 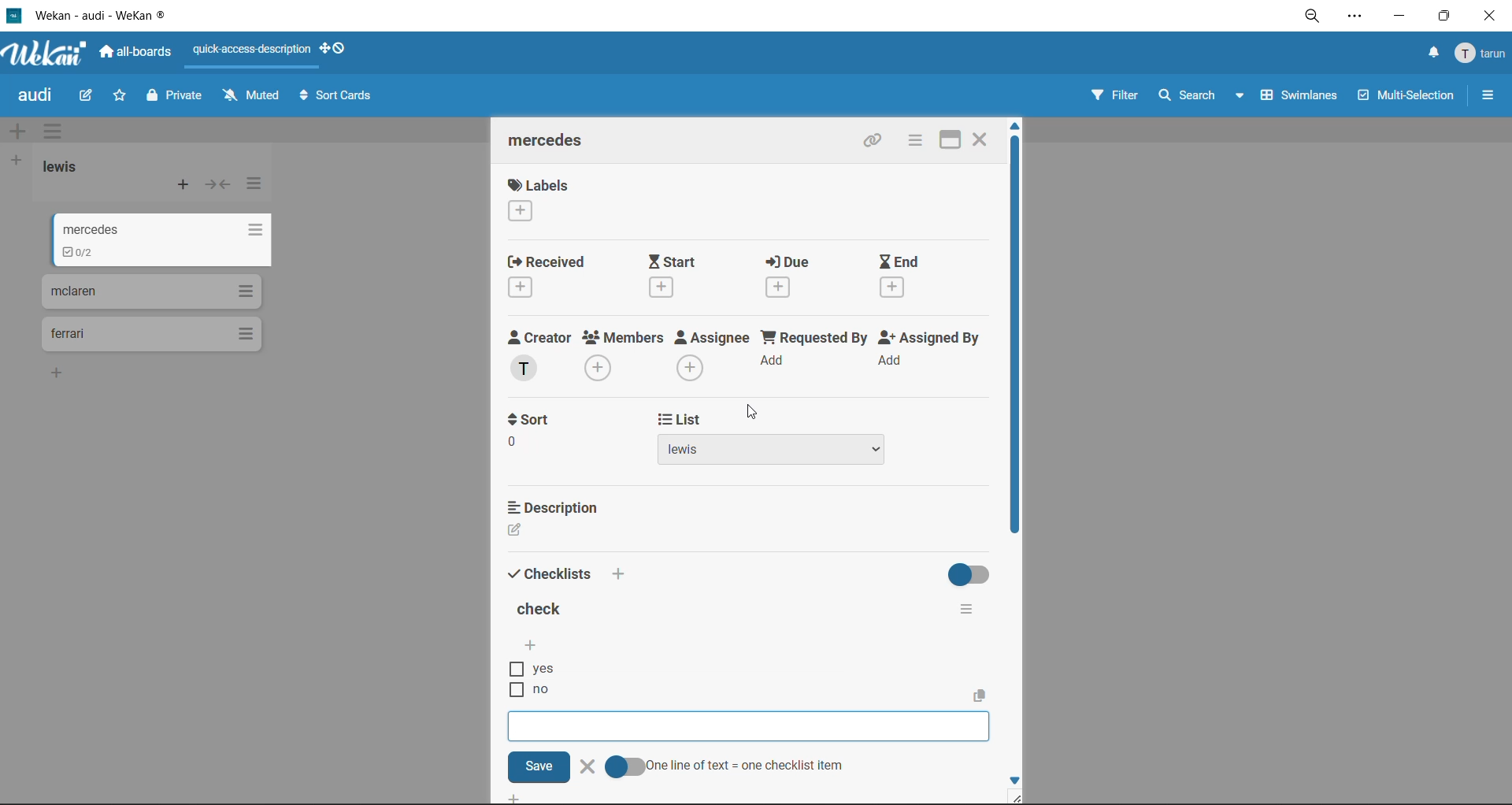 What do you see at coordinates (620, 573) in the screenshot?
I see `add` at bounding box center [620, 573].